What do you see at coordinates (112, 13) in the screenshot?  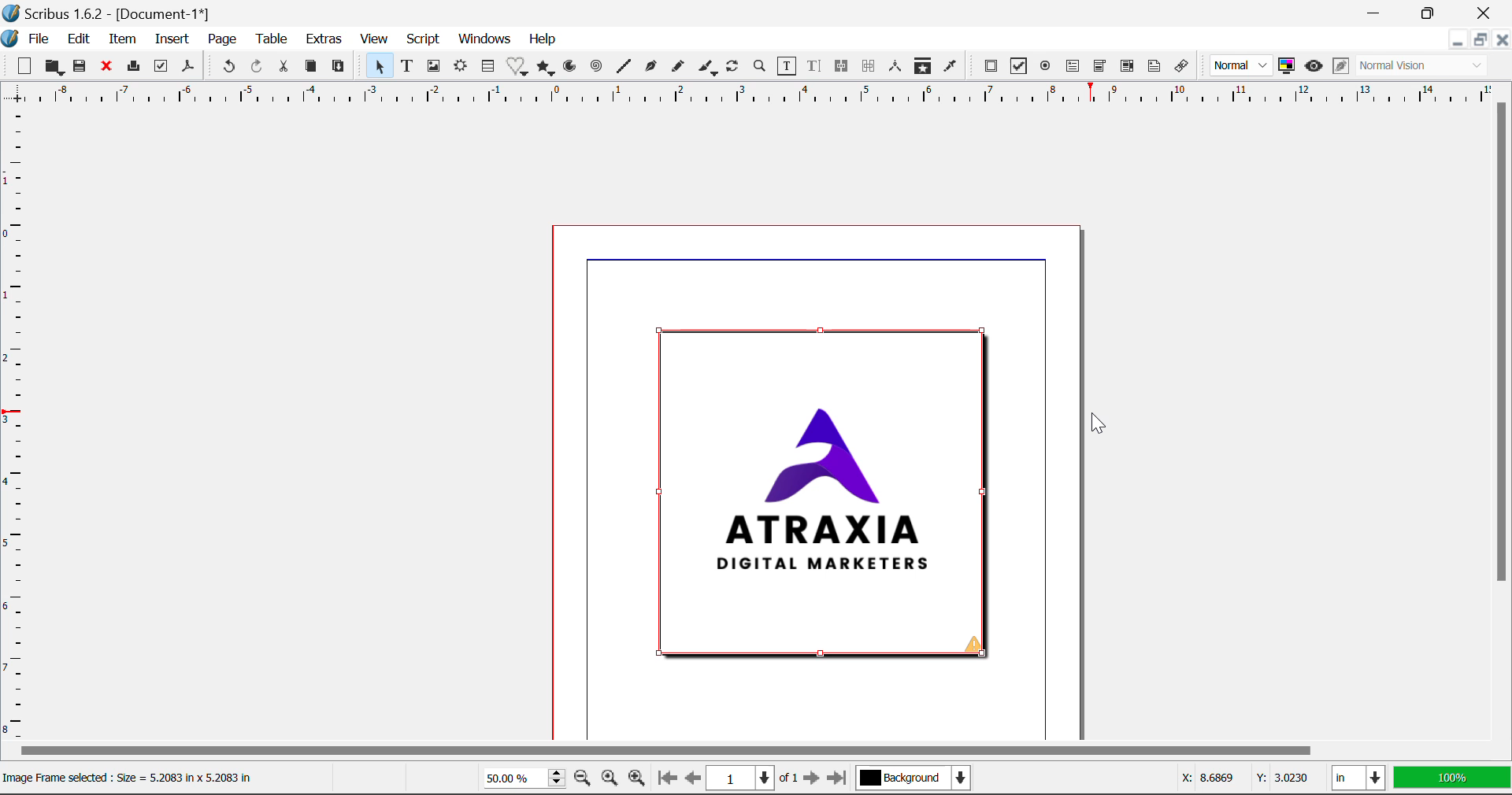 I see `Scribus 1.6.2 - [Document-1*]` at bounding box center [112, 13].